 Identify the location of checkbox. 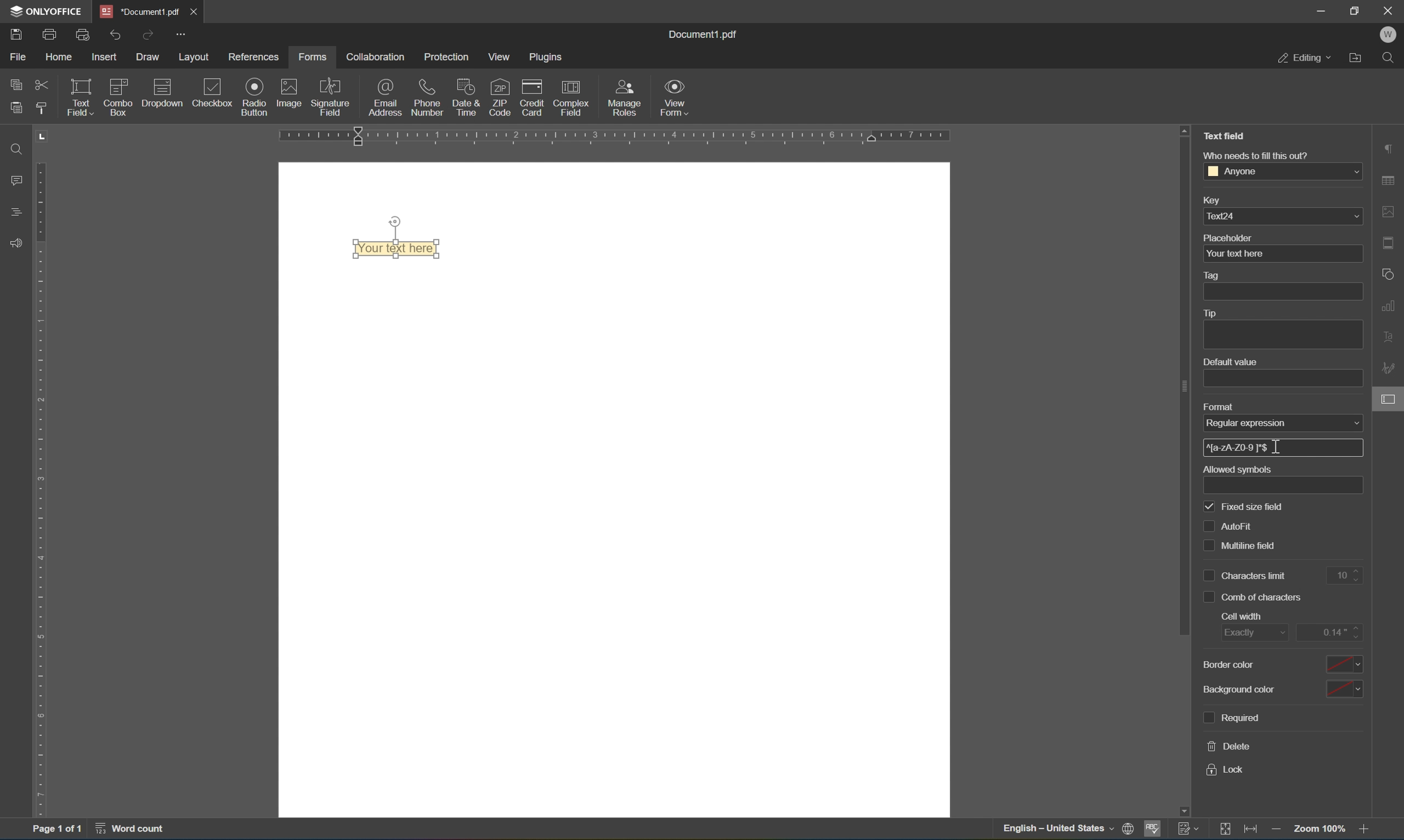
(215, 94).